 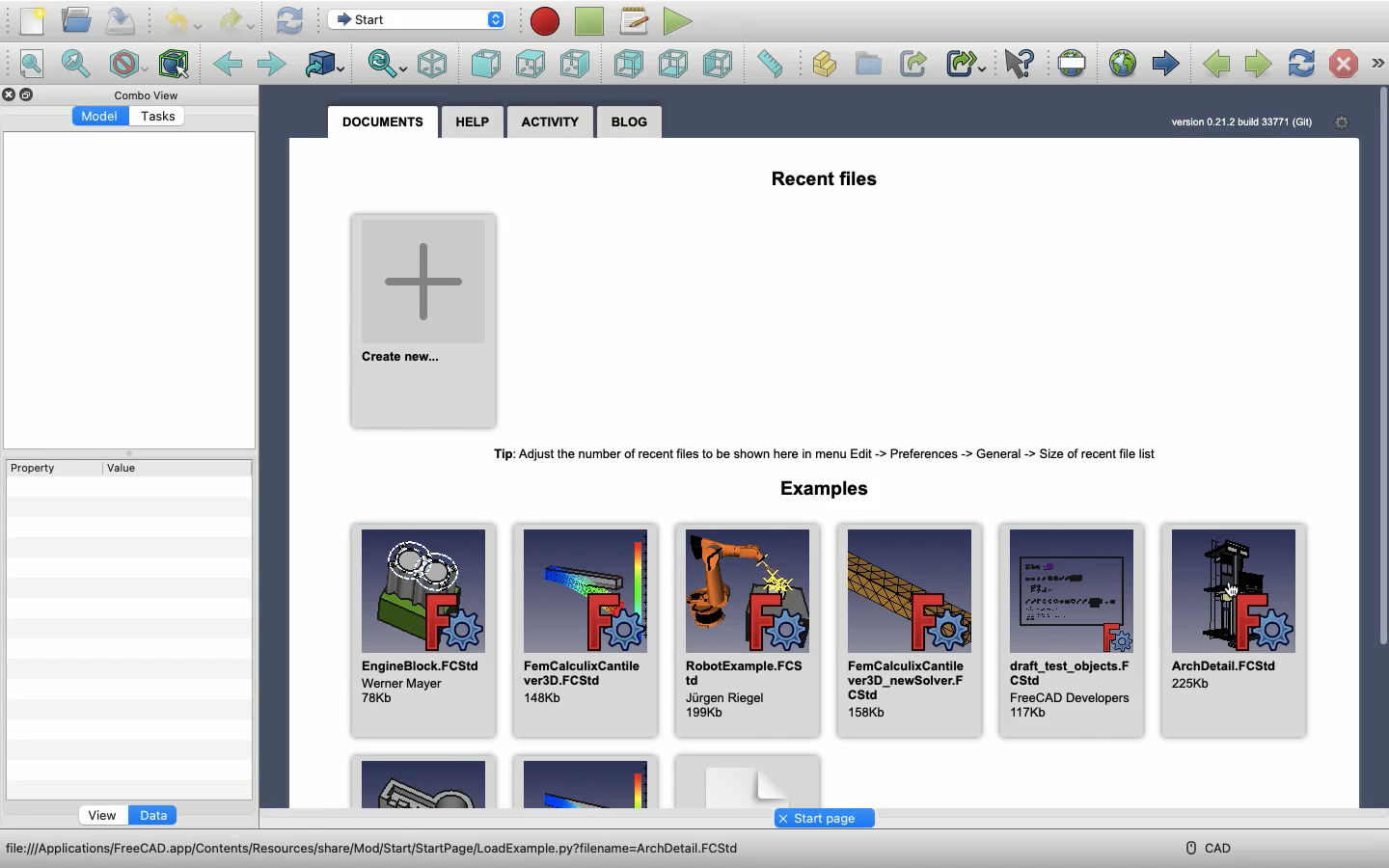 What do you see at coordinates (156, 117) in the screenshot?
I see `Tasks` at bounding box center [156, 117].